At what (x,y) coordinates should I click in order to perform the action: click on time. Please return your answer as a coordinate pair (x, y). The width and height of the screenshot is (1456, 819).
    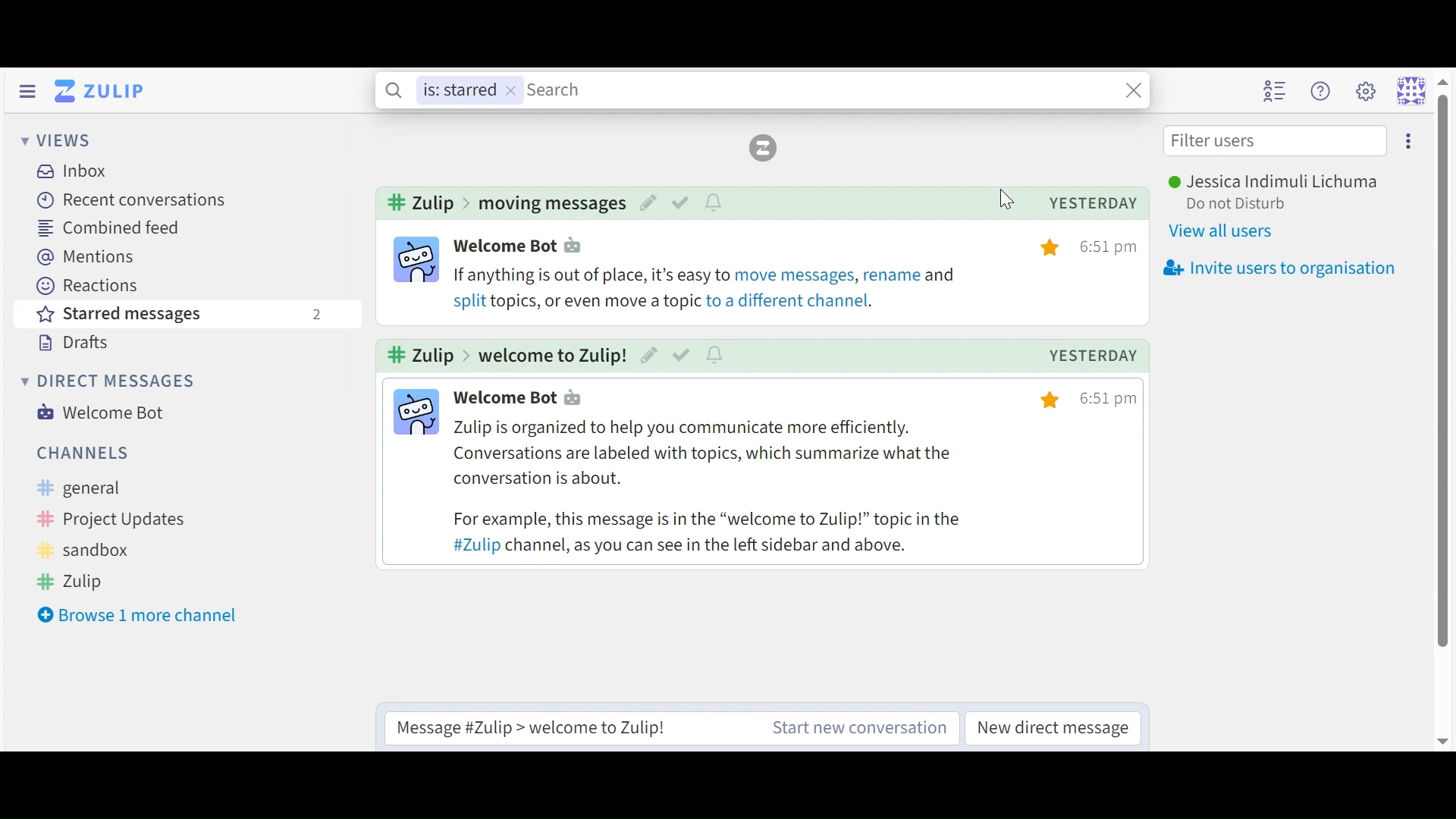
    Looking at the image, I should click on (1110, 396).